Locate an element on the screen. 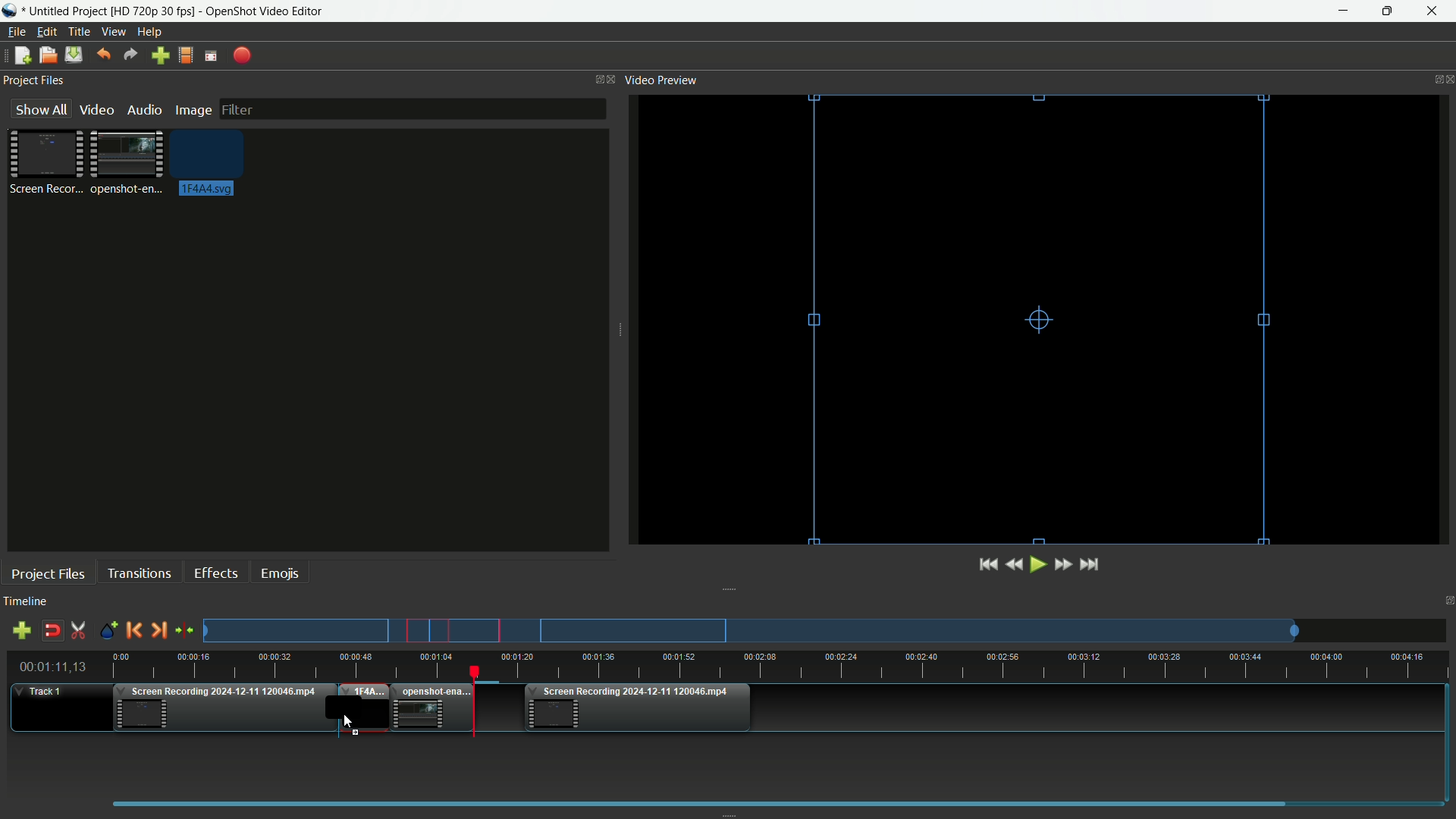 Image resolution: width=1456 pixels, height=819 pixels. Project file 2 is located at coordinates (124, 161).